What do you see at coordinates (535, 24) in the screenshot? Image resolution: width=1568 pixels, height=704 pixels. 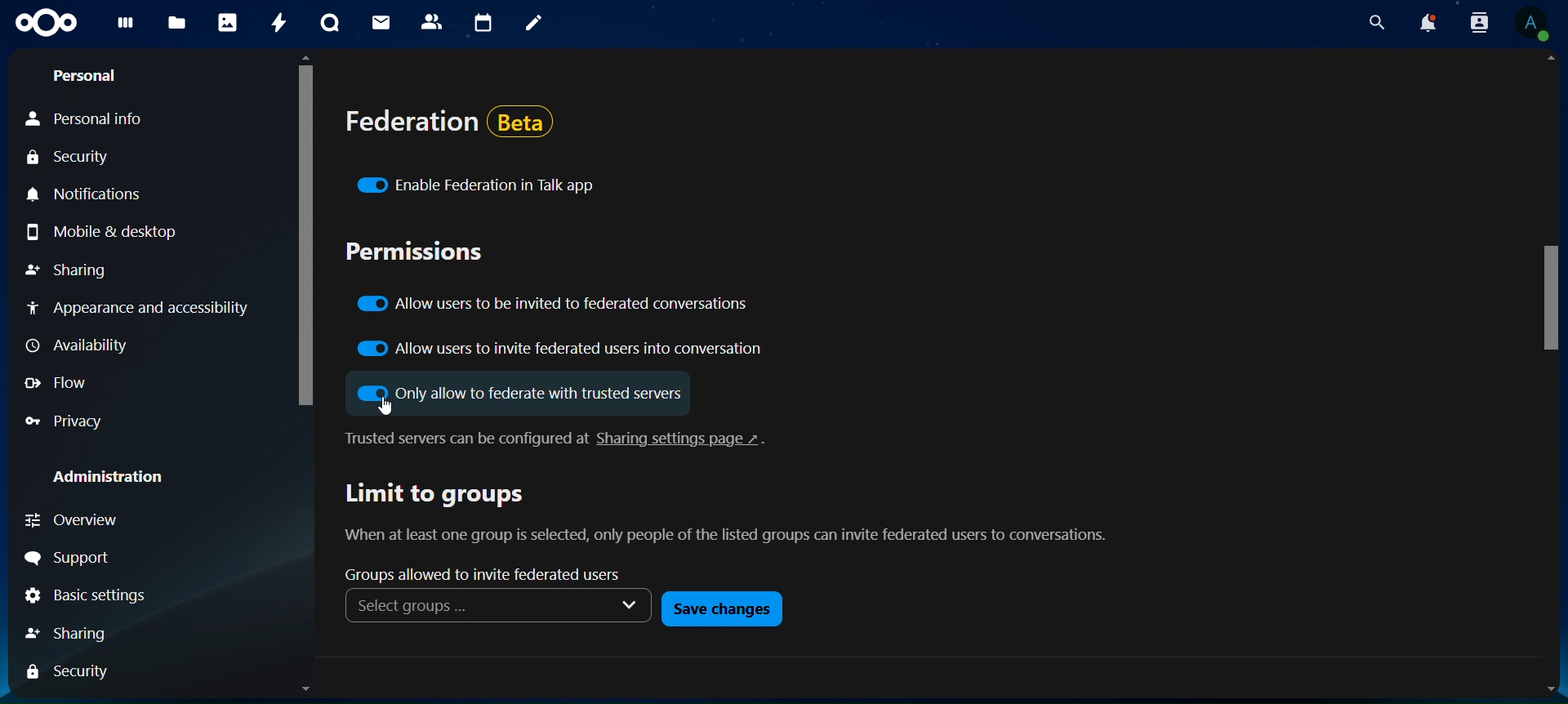 I see `notes` at bounding box center [535, 24].